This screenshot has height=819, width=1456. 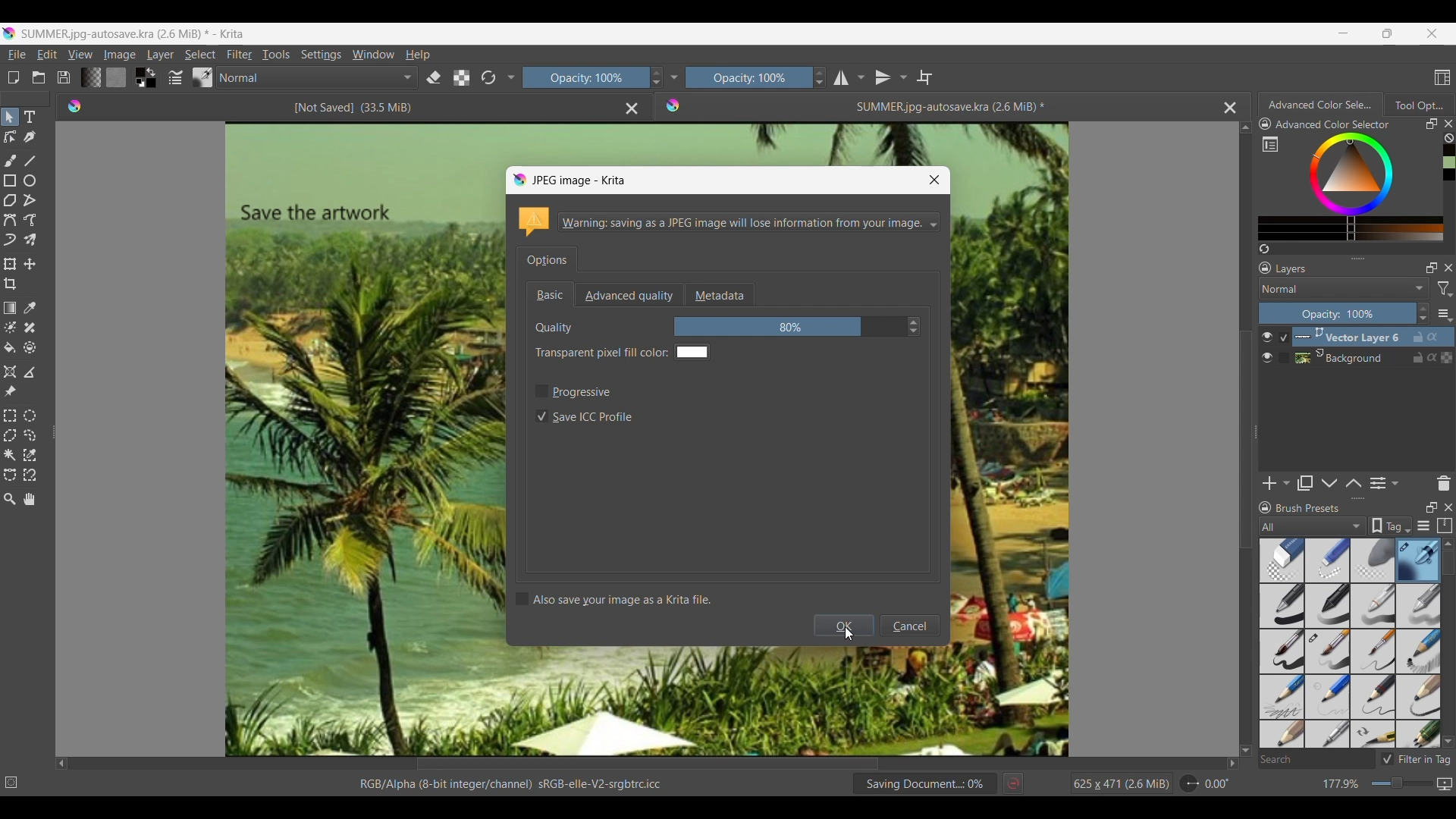 I want to click on Increase/Decrease opacity, so click(x=1423, y=314).